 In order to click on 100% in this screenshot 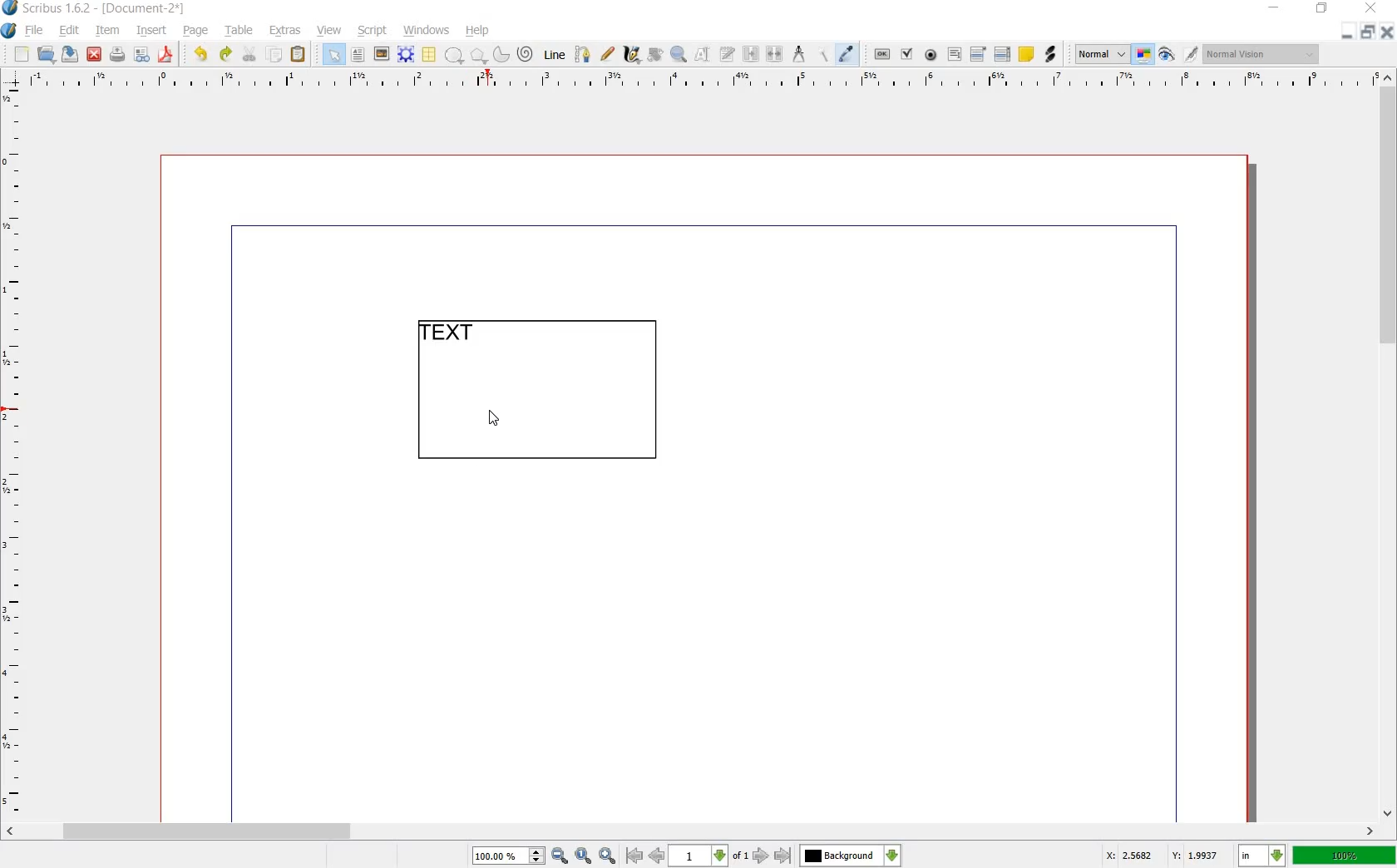, I will do `click(1345, 855)`.